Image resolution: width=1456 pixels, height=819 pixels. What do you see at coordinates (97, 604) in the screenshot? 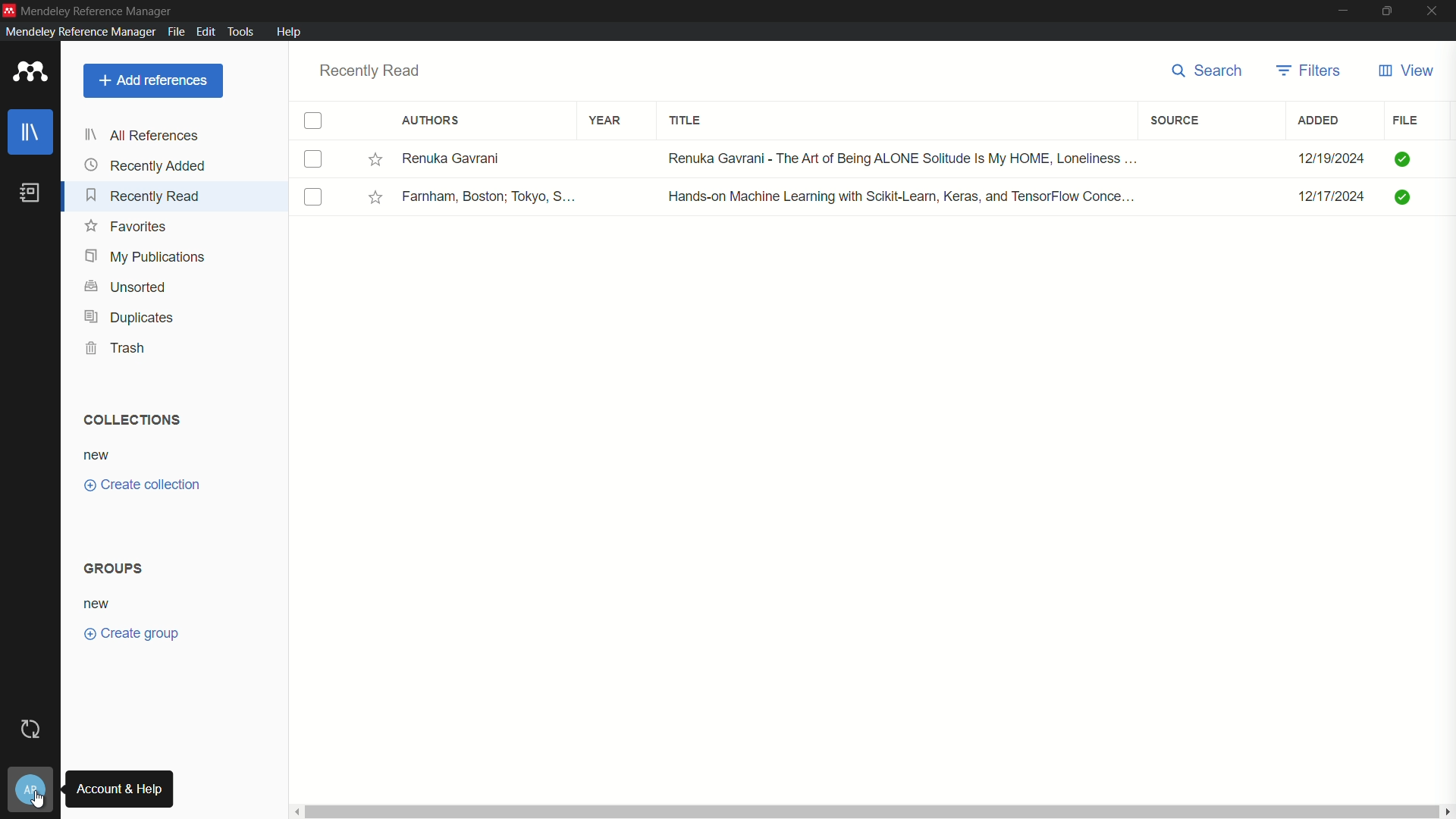
I see `new` at bounding box center [97, 604].